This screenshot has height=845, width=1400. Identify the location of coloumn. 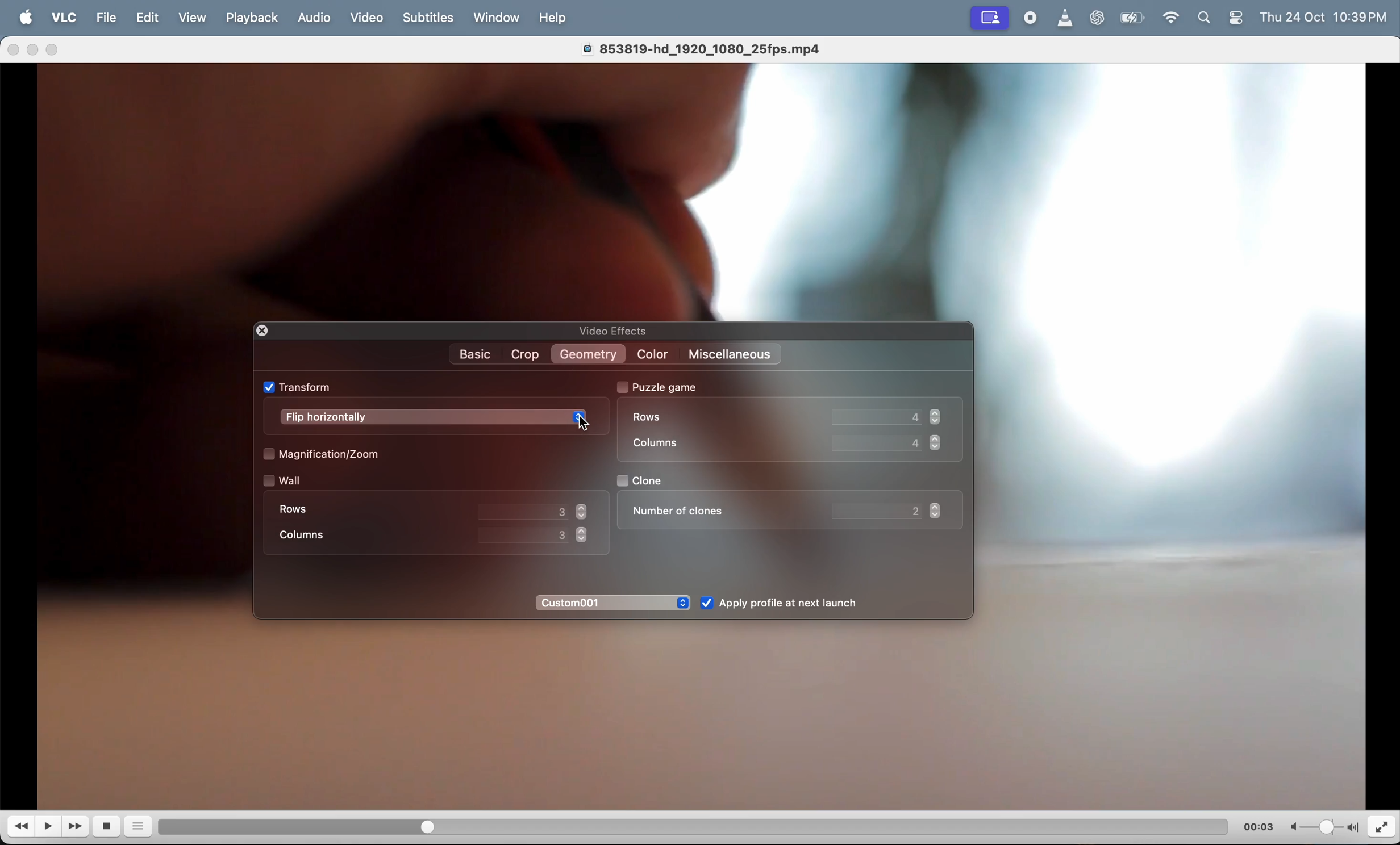
(306, 534).